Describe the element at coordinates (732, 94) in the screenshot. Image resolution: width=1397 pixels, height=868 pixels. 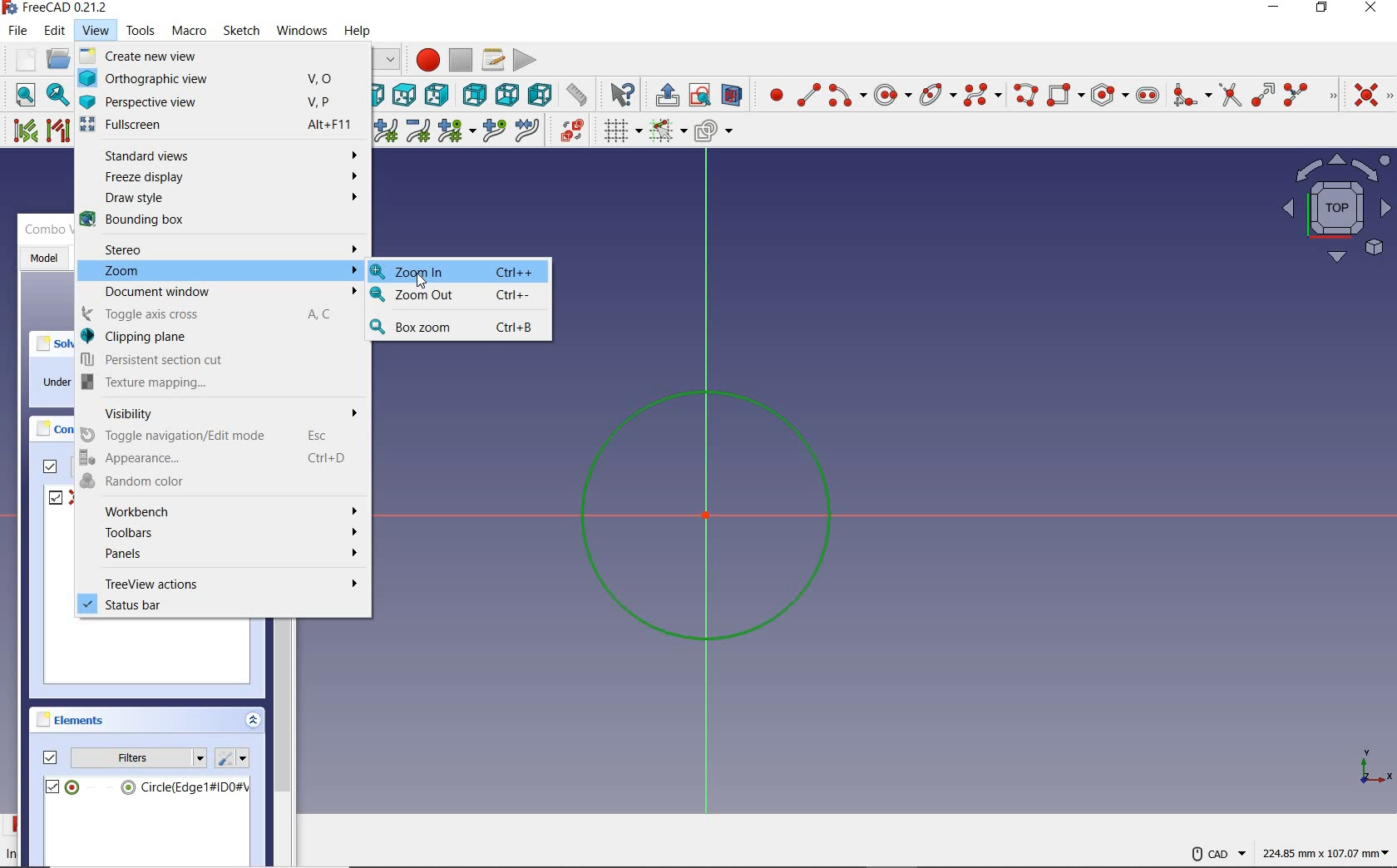
I see `view section` at that location.